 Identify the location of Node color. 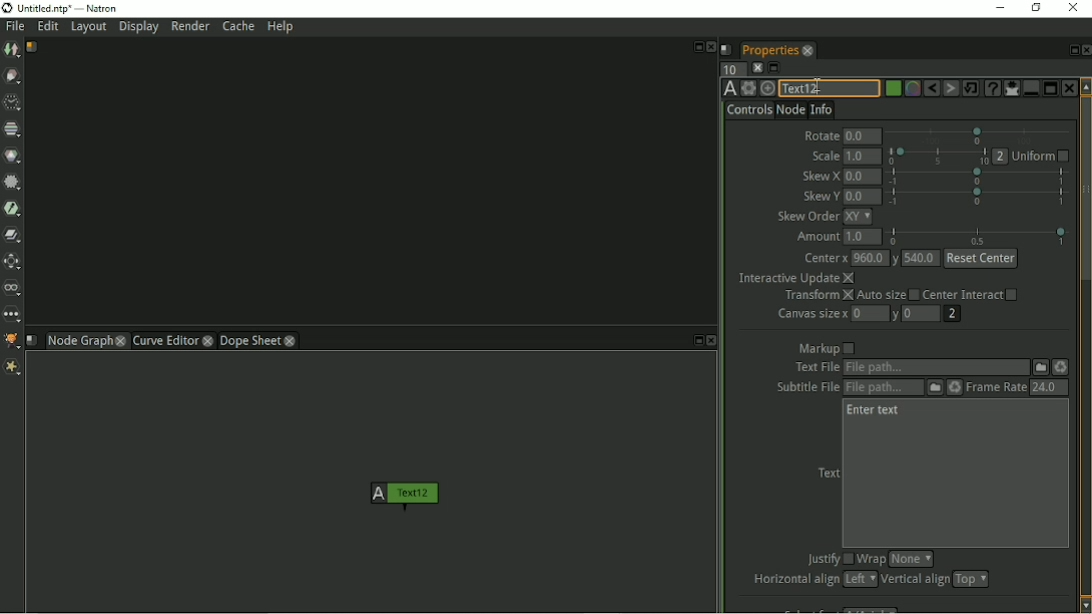
(891, 89).